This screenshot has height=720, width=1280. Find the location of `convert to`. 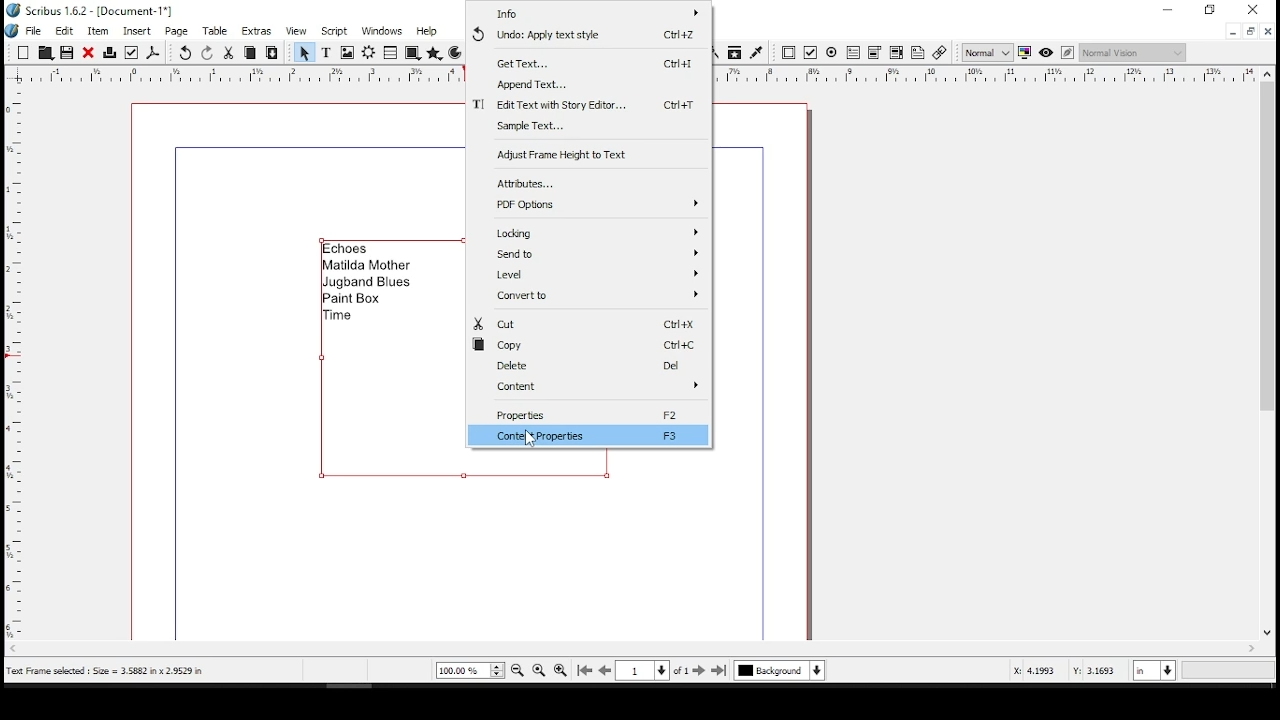

convert to is located at coordinates (589, 296).